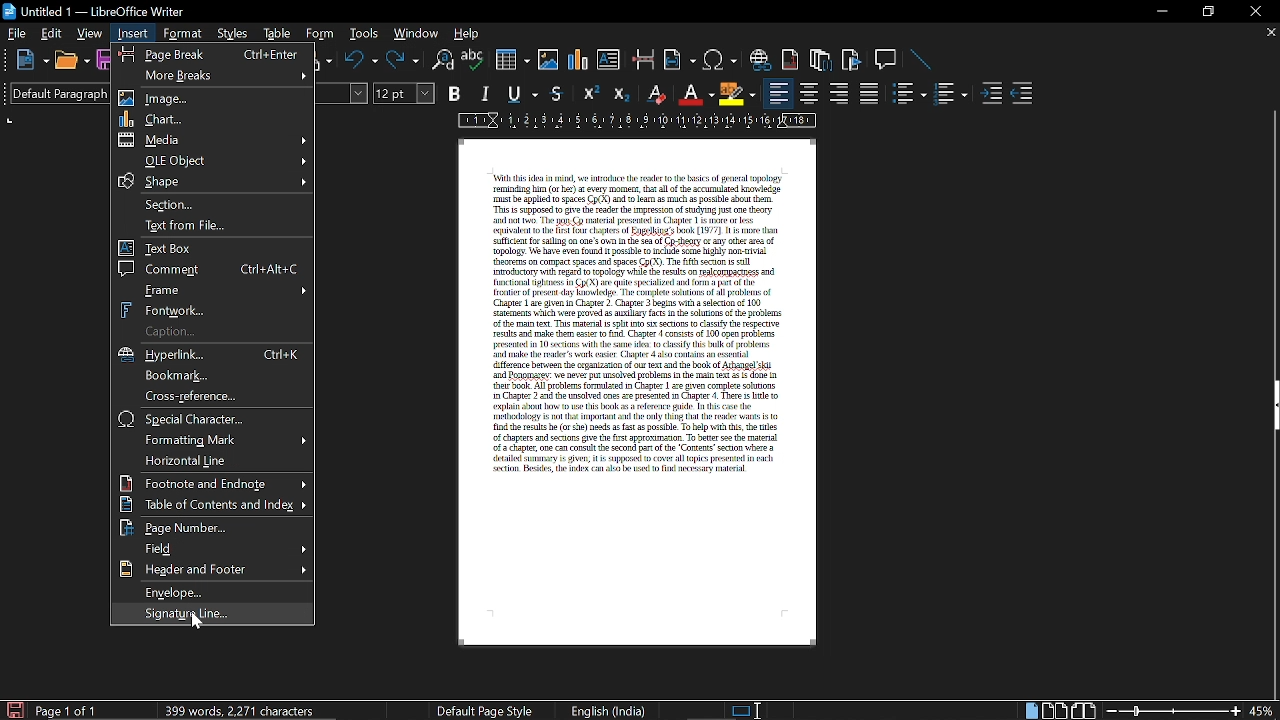 This screenshot has width=1280, height=720. I want to click on image, so click(211, 97).